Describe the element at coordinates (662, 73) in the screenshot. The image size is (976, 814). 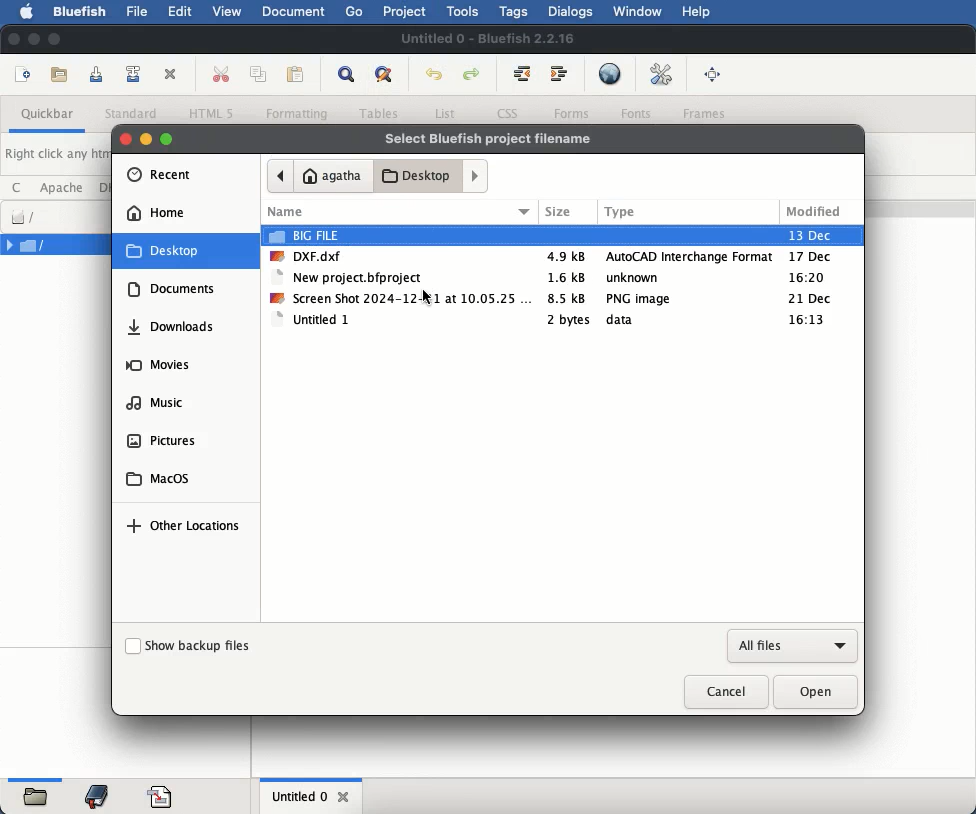
I see `edit preferences ` at that location.